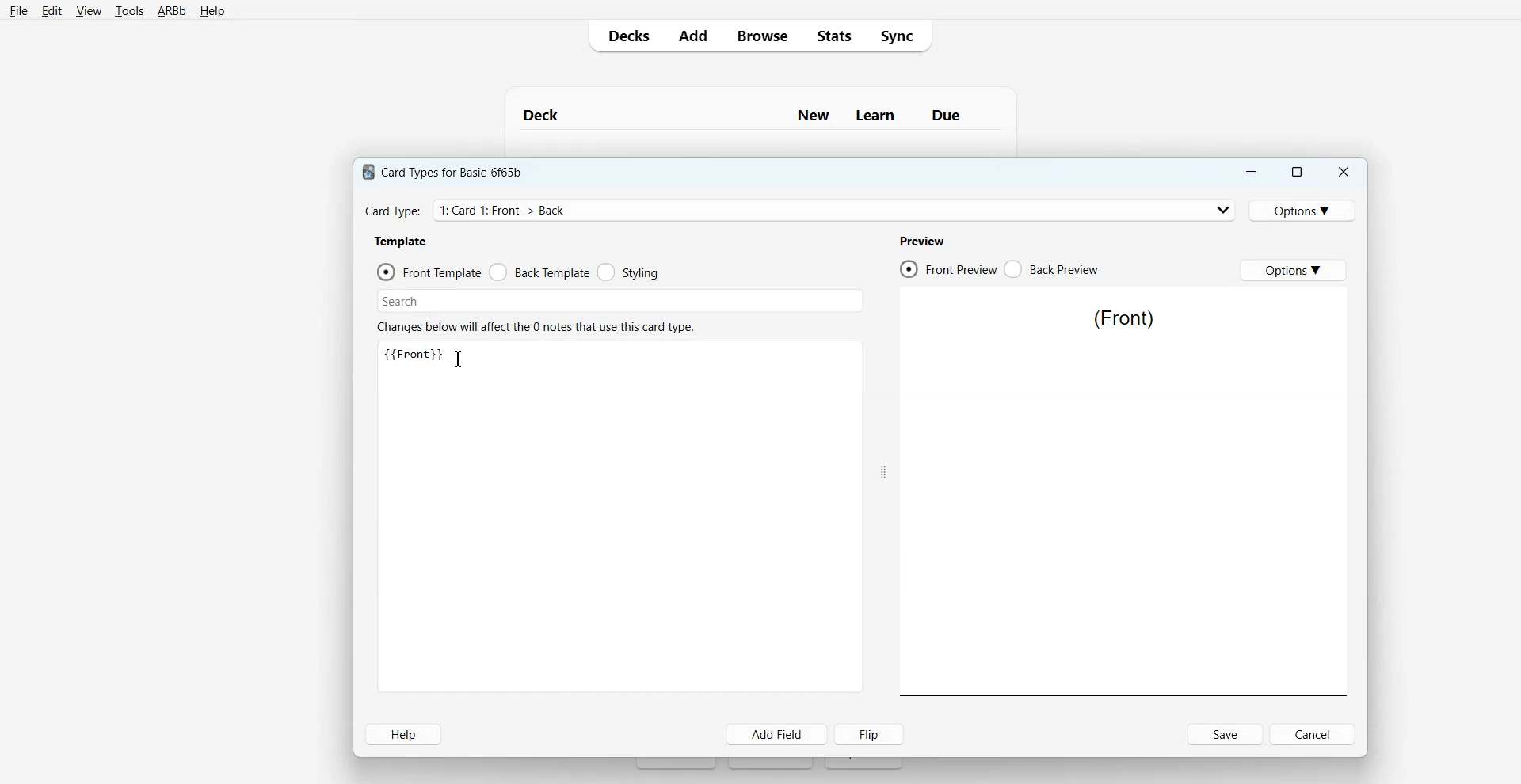  What do you see at coordinates (871, 734) in the screenshot?
I see `Flip` at bounding box center [871, 734].